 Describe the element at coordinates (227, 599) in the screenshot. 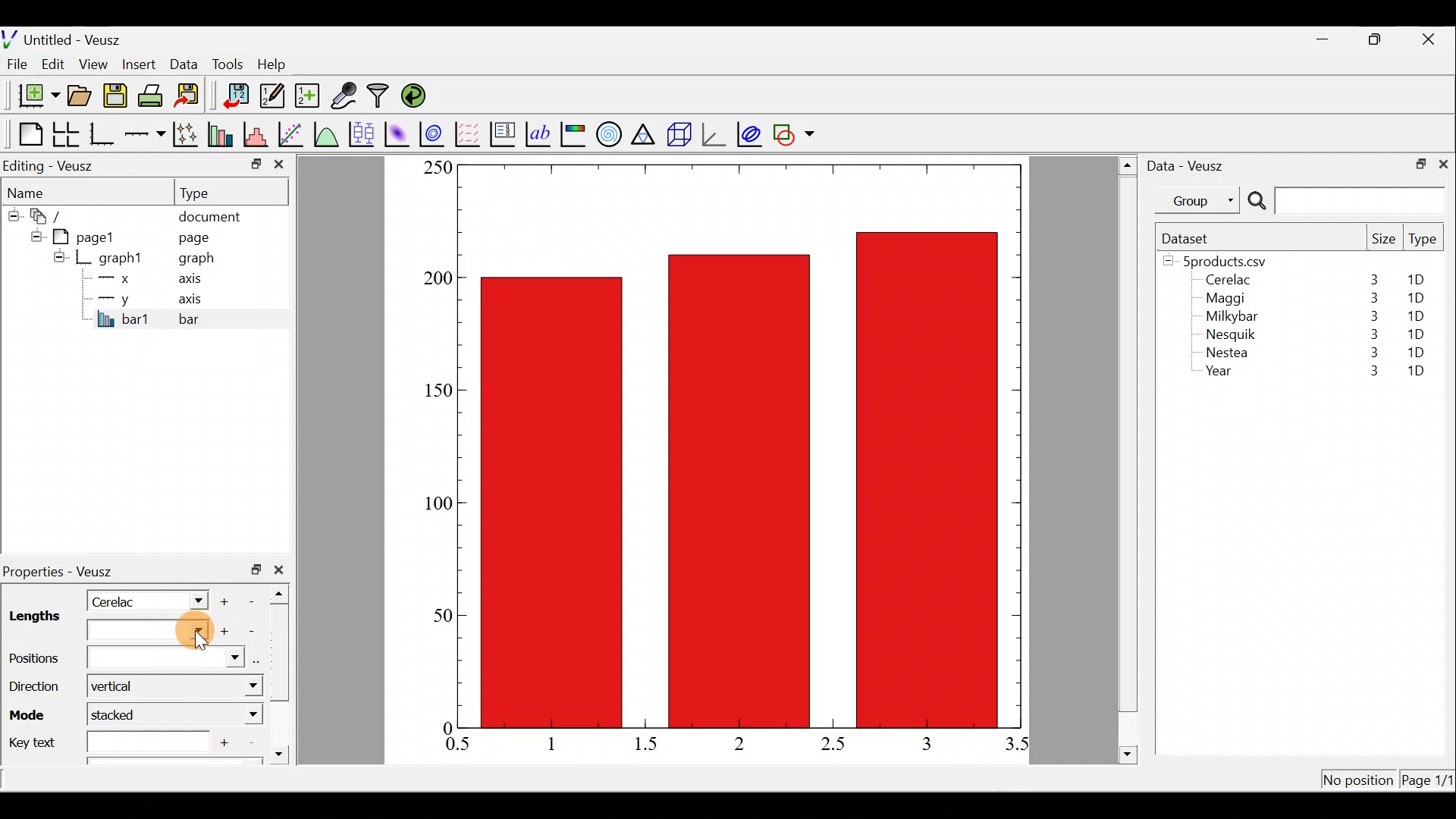

I see `Add another item` at that location.